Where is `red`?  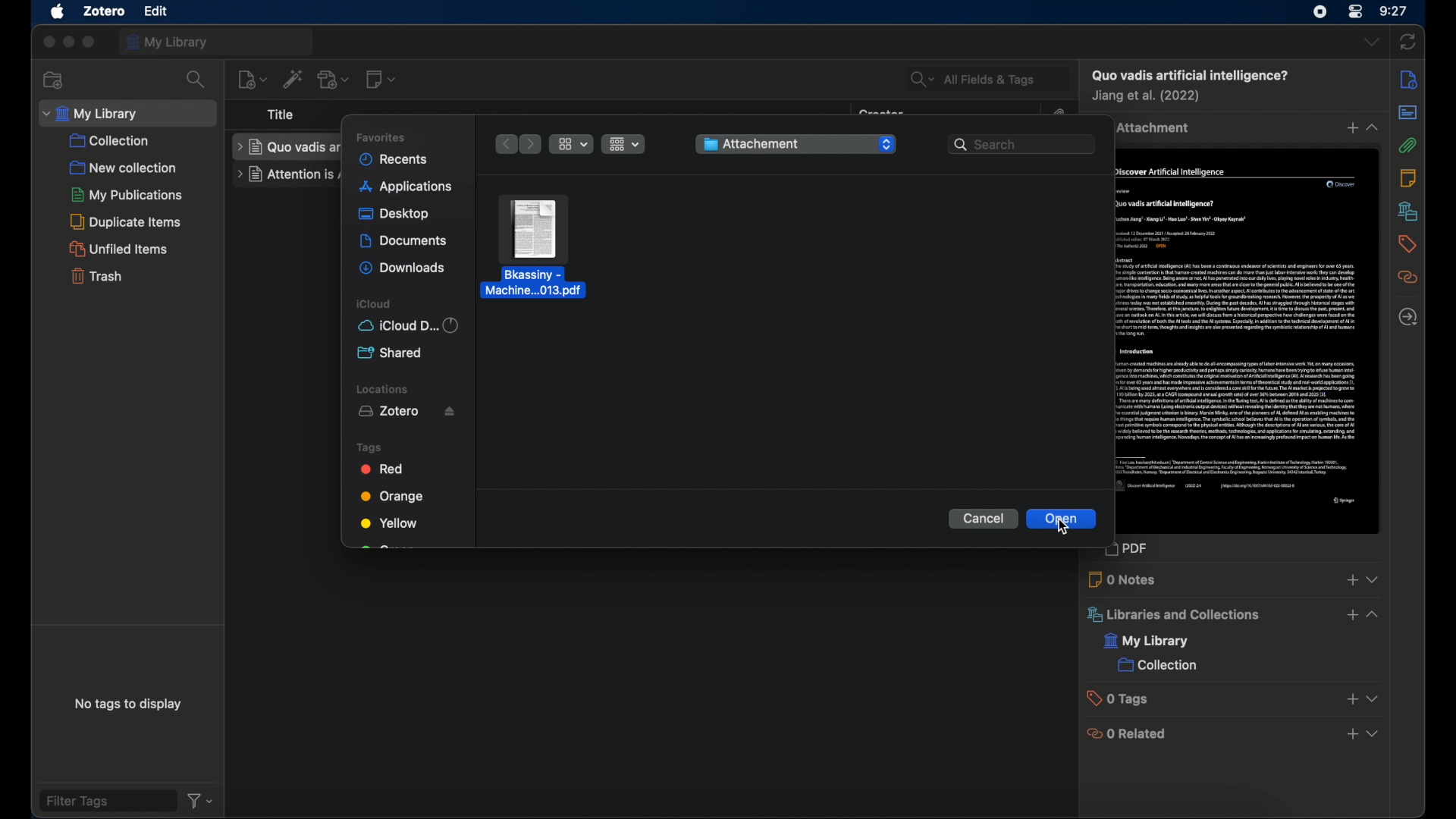
red is located at coordinates (384, 469).